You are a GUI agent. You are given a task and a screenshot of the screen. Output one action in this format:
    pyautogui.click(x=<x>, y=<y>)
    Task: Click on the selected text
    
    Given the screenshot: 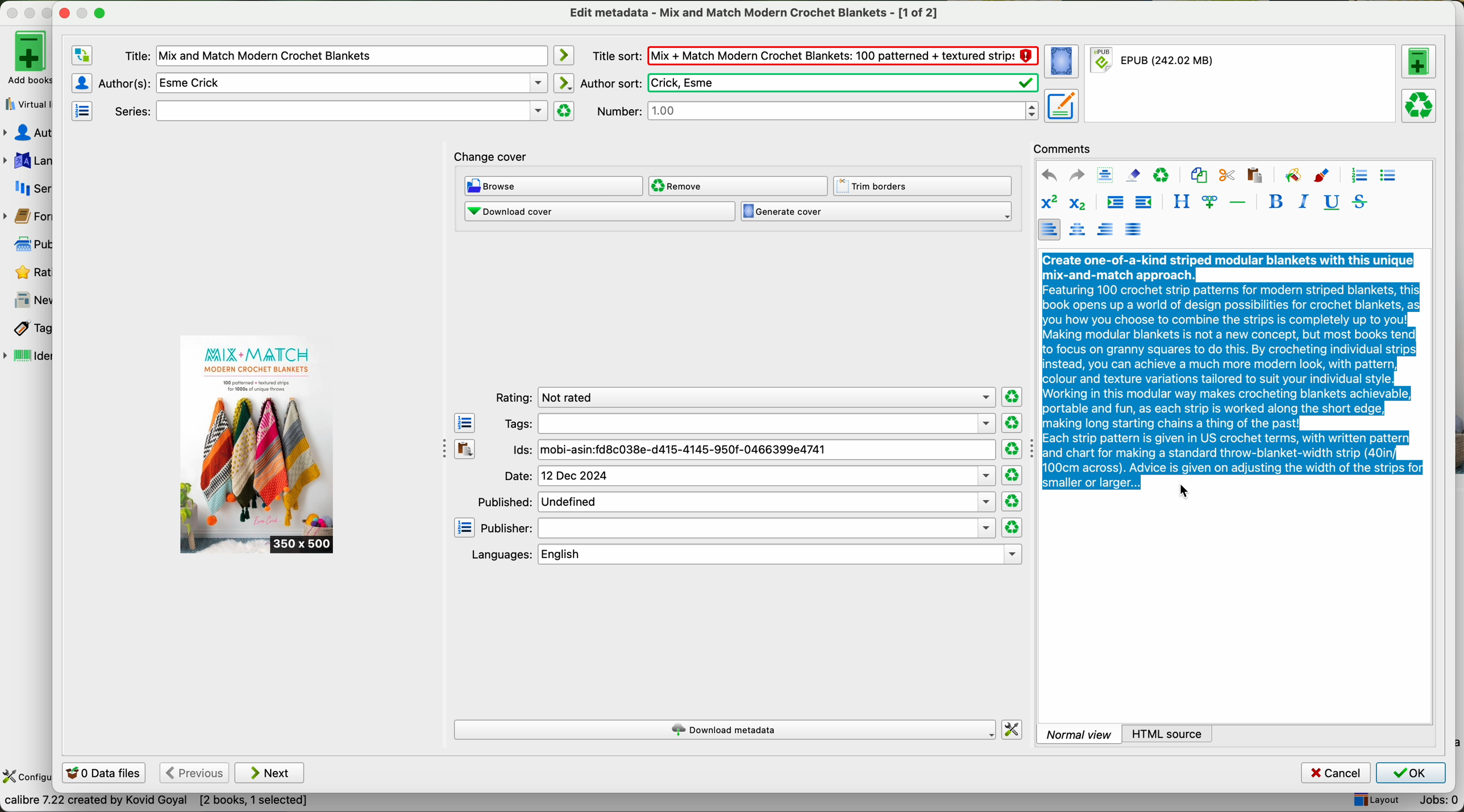 What is the action you would take?
    pyautogui.click(x=1233, y=369)
    